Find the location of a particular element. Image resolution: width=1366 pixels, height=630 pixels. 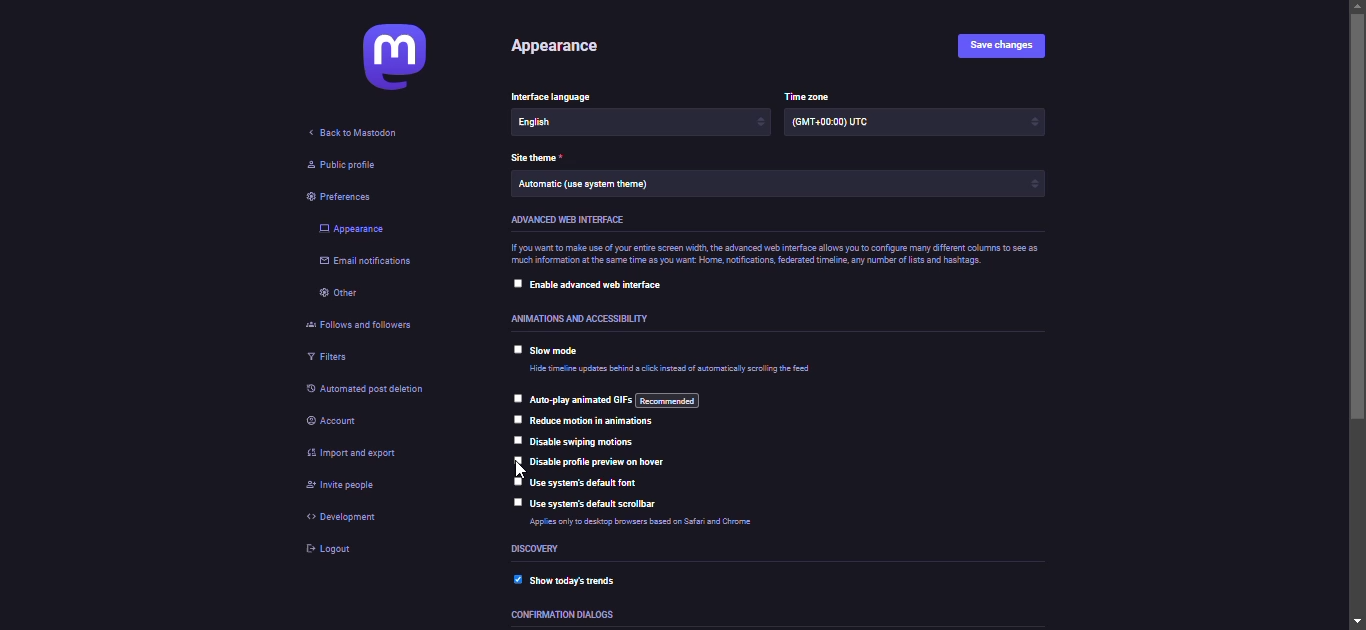

follows and followers is located at coordinates (372, 323).